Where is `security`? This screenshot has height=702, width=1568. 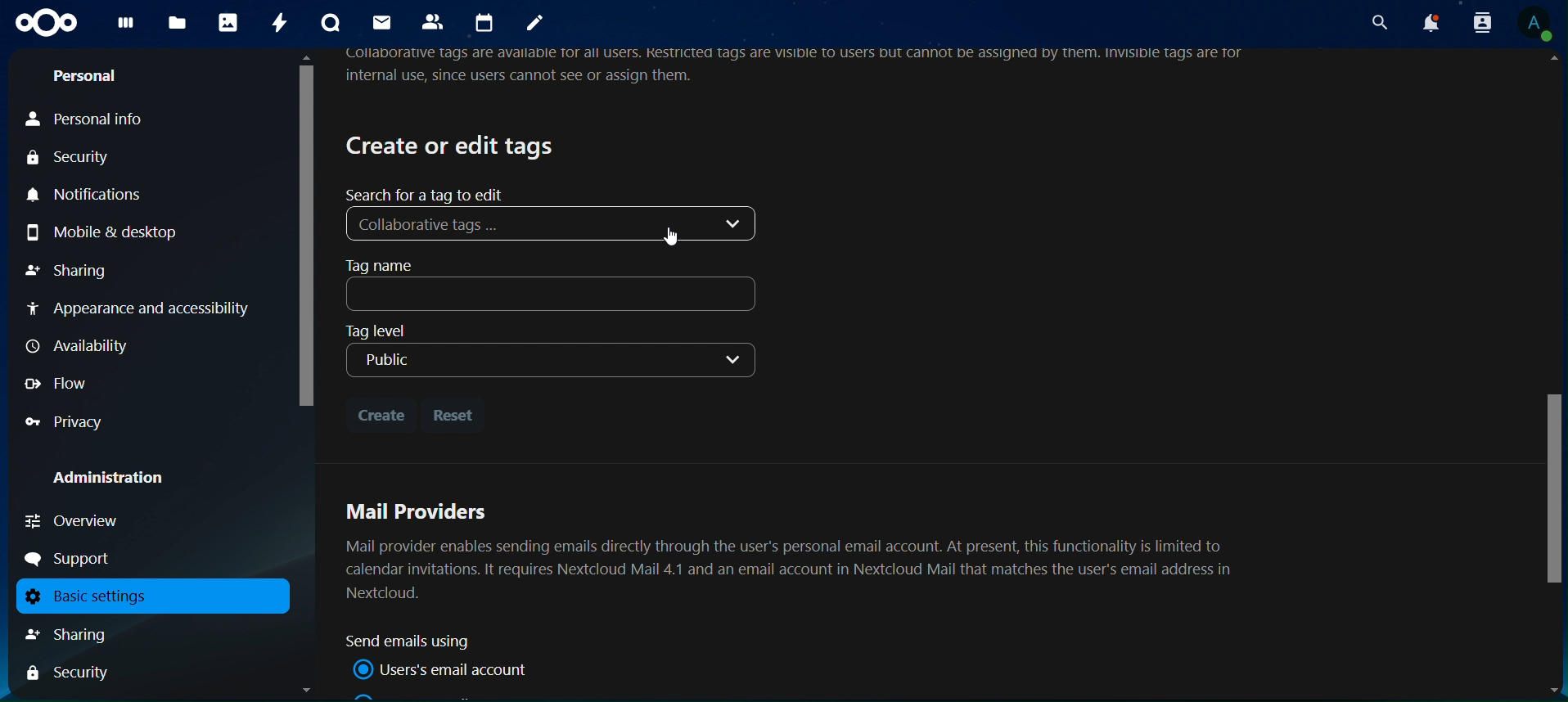
security is located at coordinates (78, 160).